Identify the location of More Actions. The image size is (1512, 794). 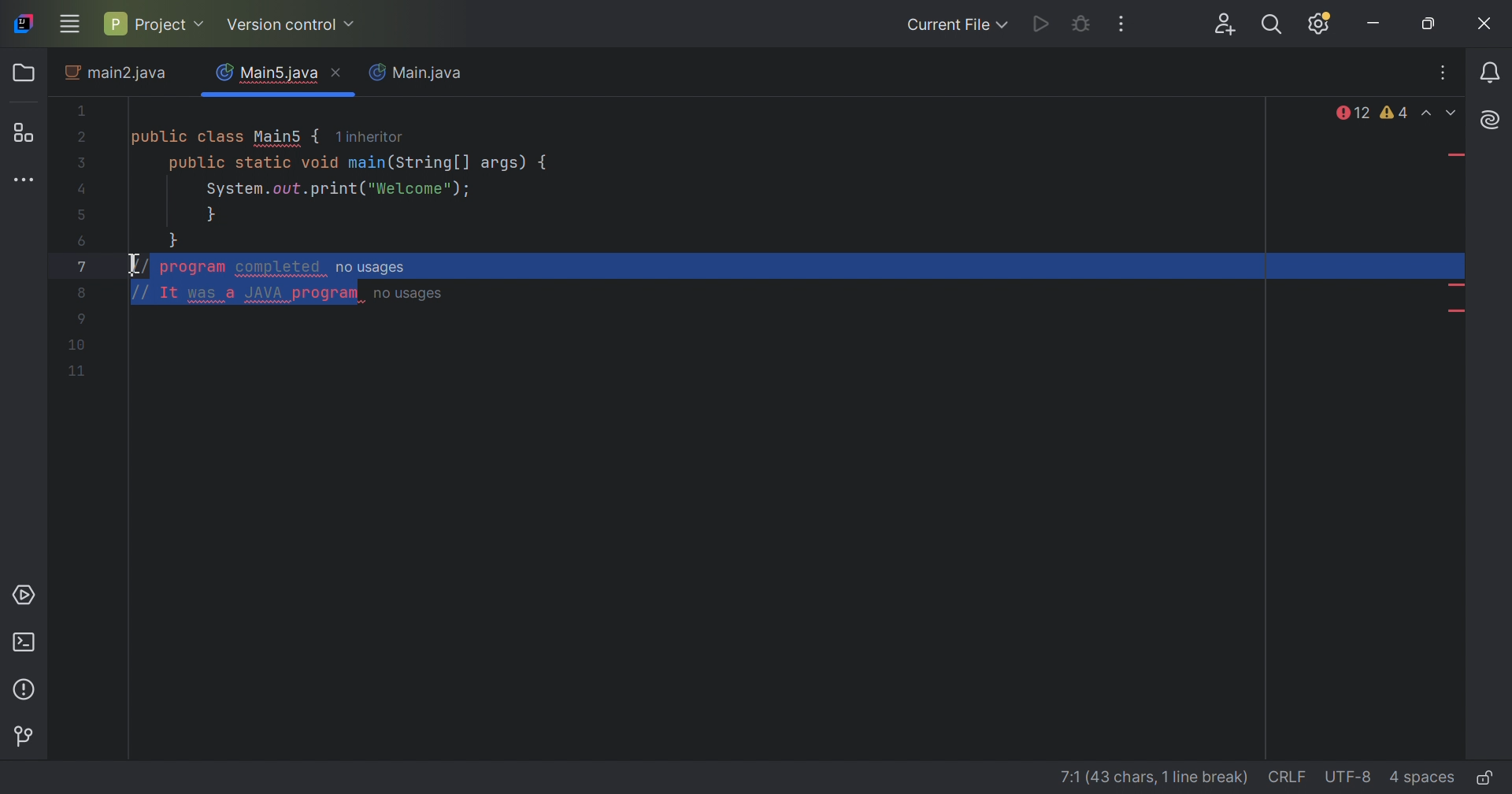
(1123, 24).